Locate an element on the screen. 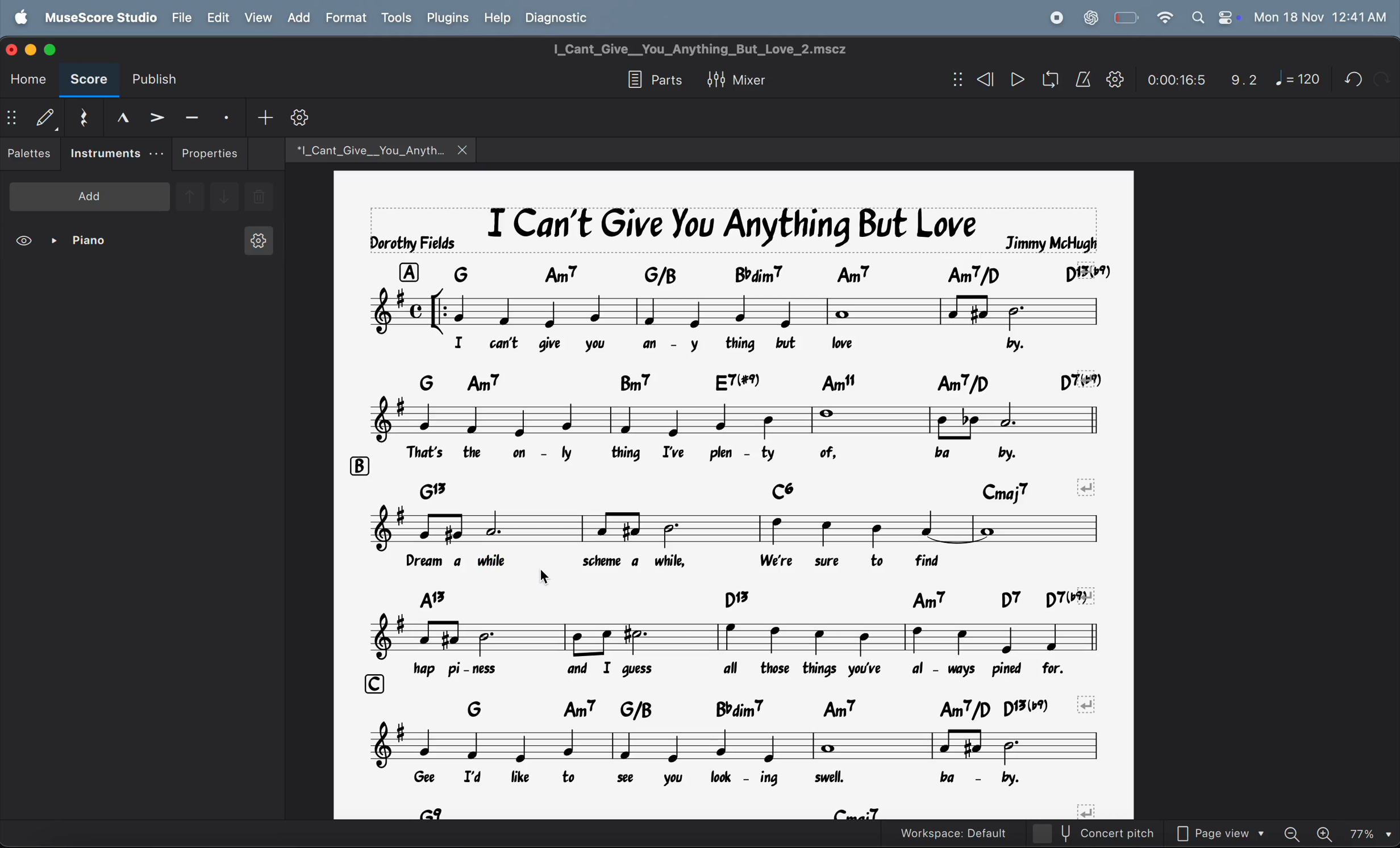 This screenshot has width=1400, height=848. help is located at coordinates (497, 18).